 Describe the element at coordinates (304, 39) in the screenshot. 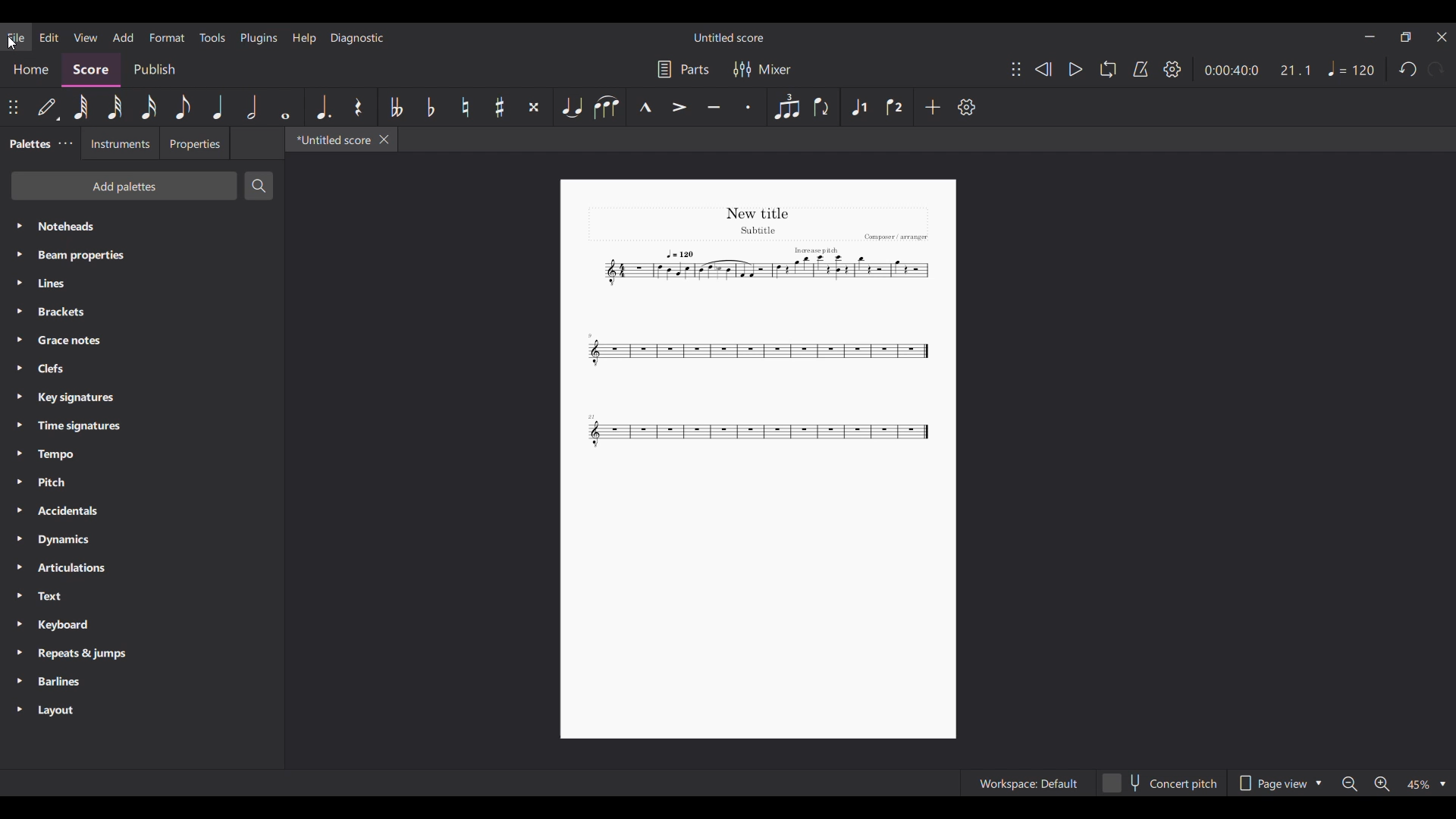

I see `Help menu` at that location.